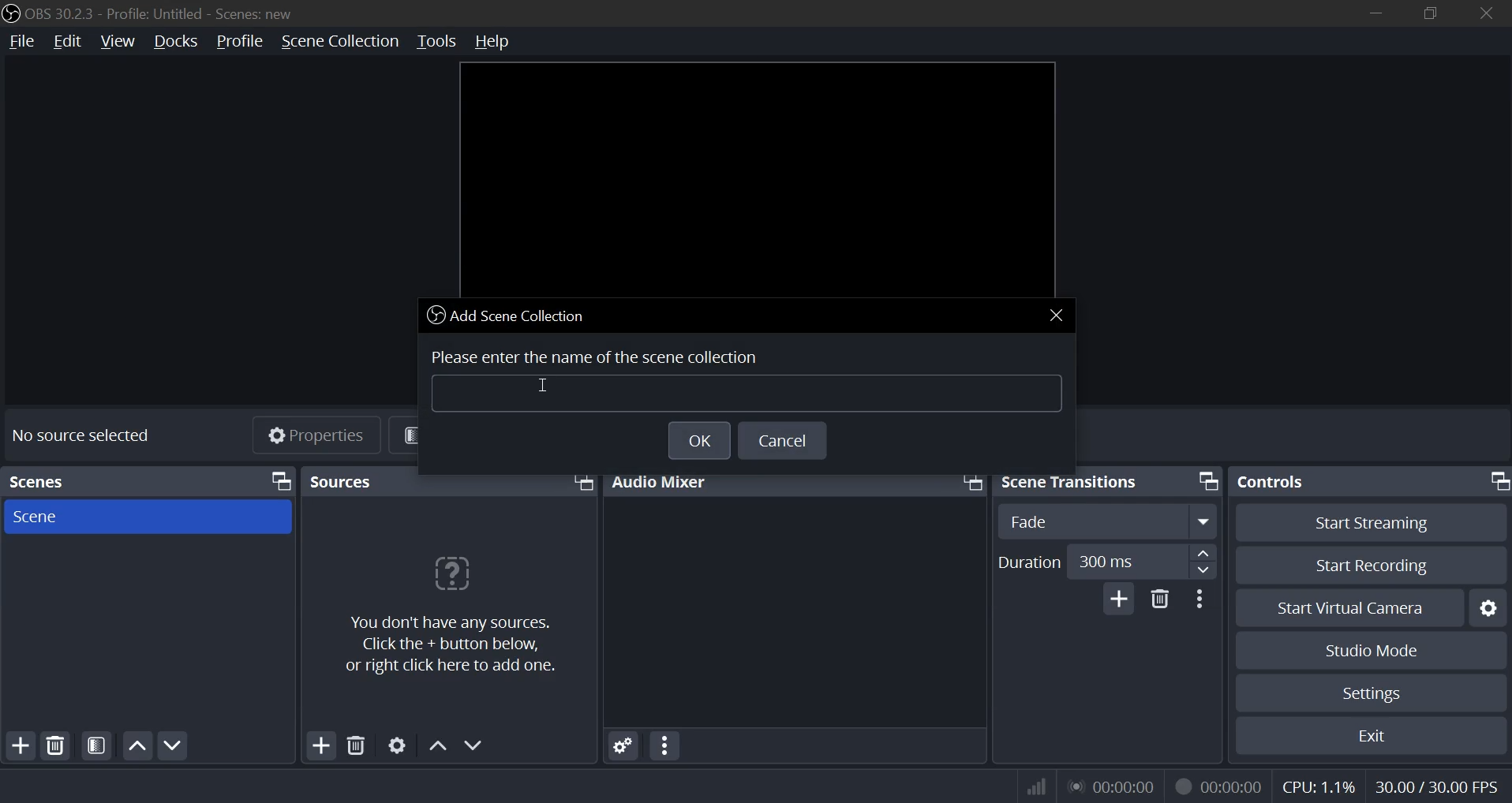 The image size is (1512, 803). What do you see at coordinates (1371, 735) in the screenshot?
I see `exit` at bounding box center [1371, 735].